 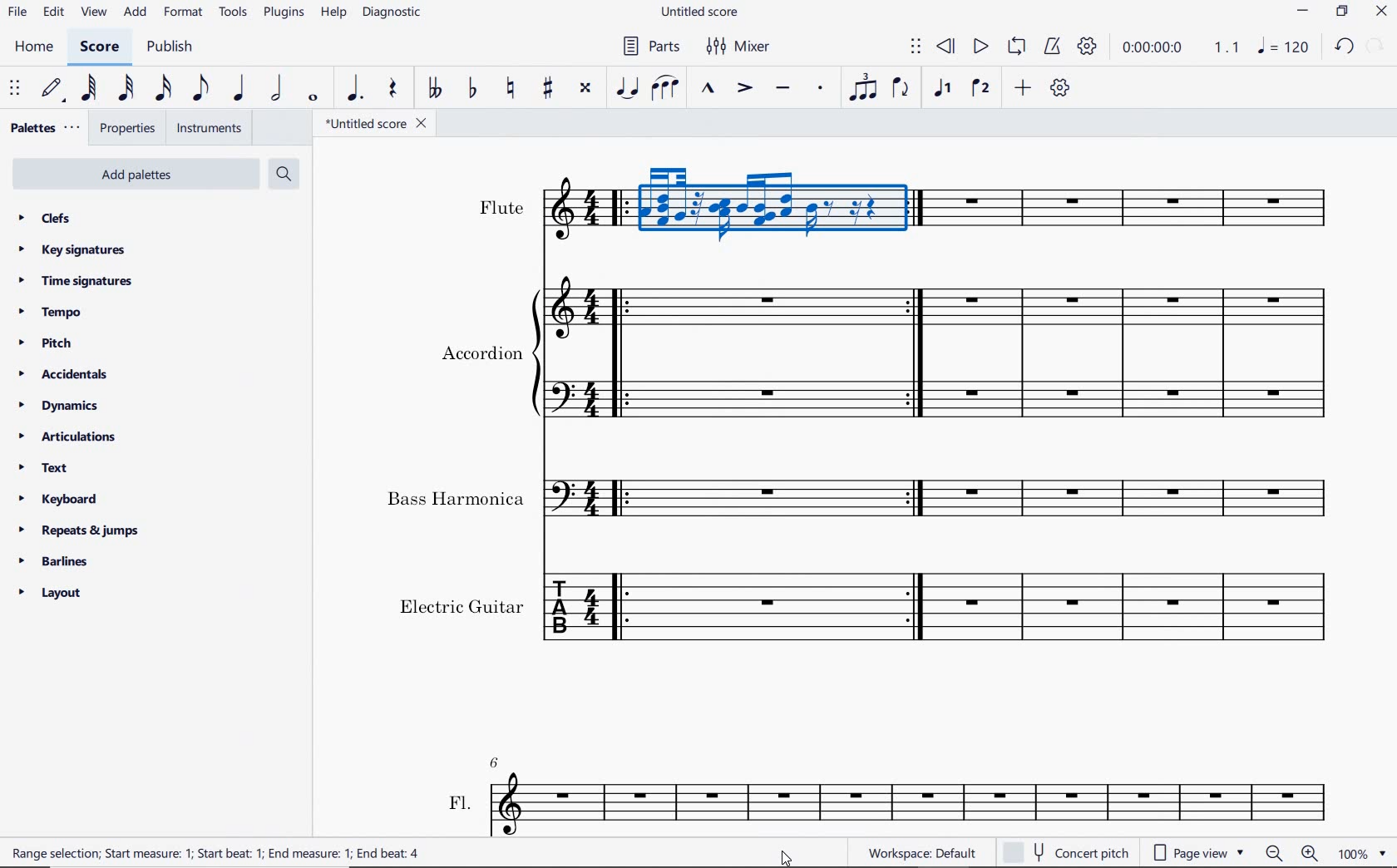 What do you see at coordinates (392, 13) in the screenshot?
I see `diagnostic` at bounding box center [392, 13].